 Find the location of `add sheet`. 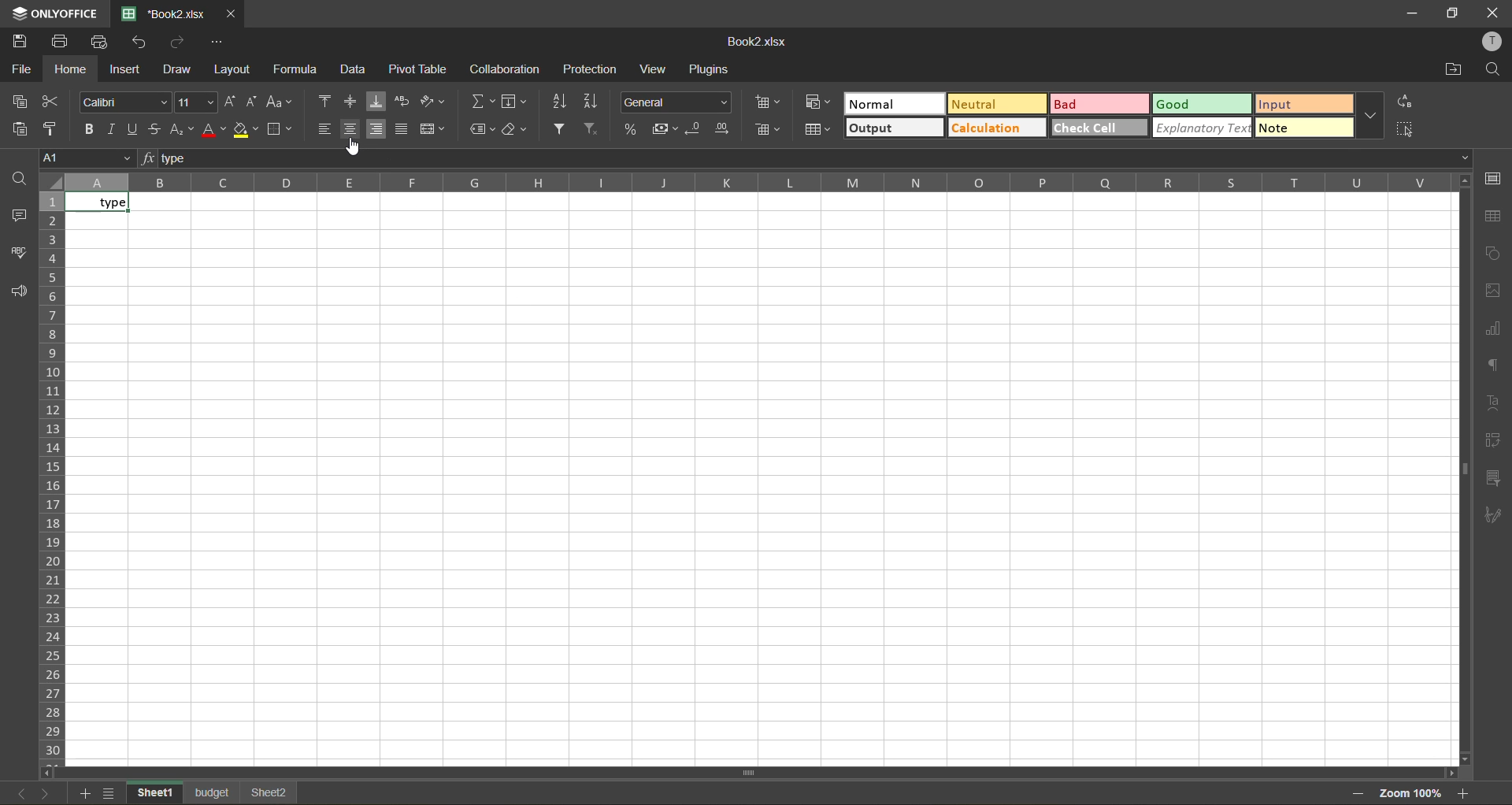

add sheet is located at coordinates (87, 793).